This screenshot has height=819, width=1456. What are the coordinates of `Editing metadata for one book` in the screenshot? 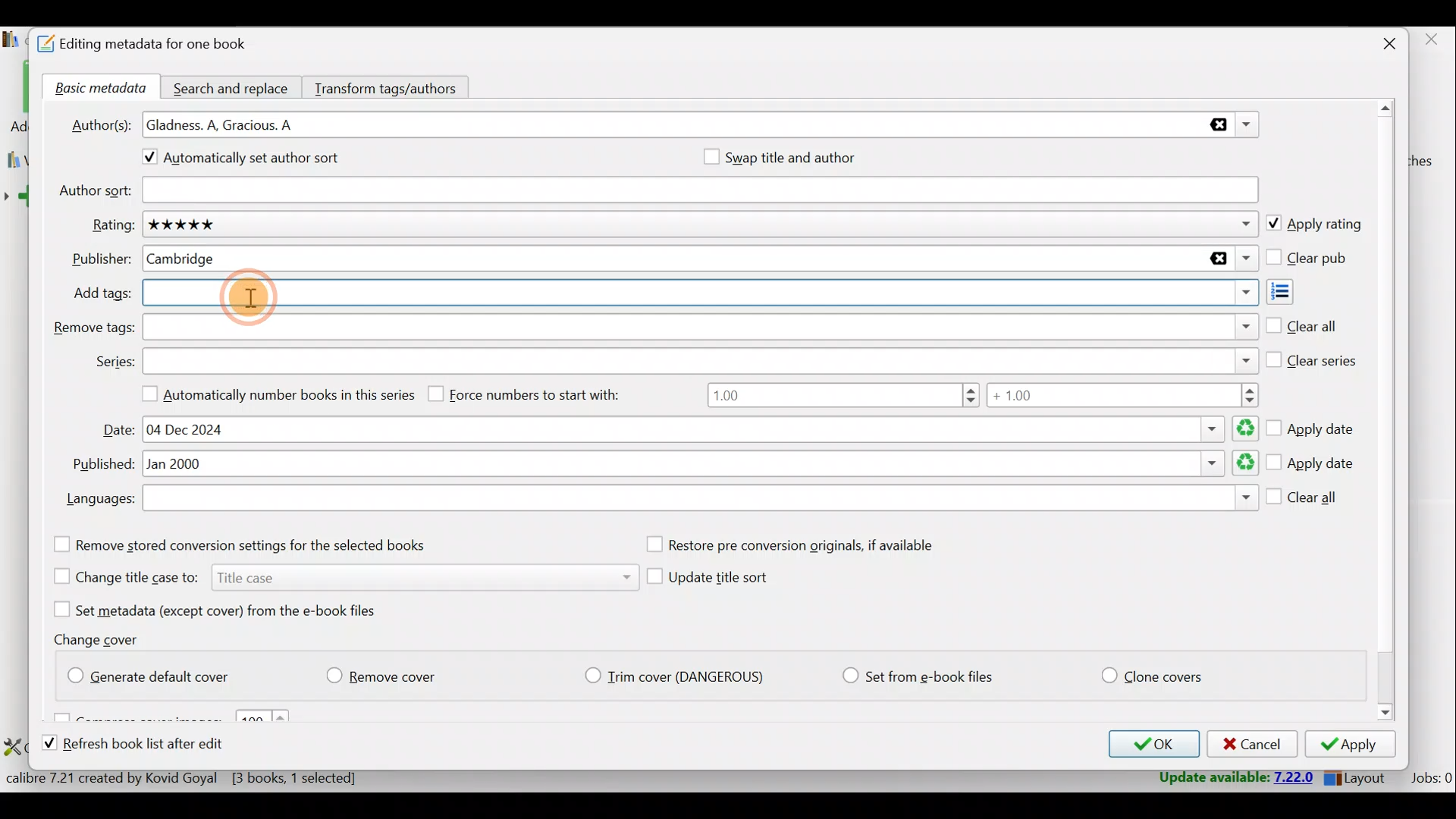 It's located at (161, 45).